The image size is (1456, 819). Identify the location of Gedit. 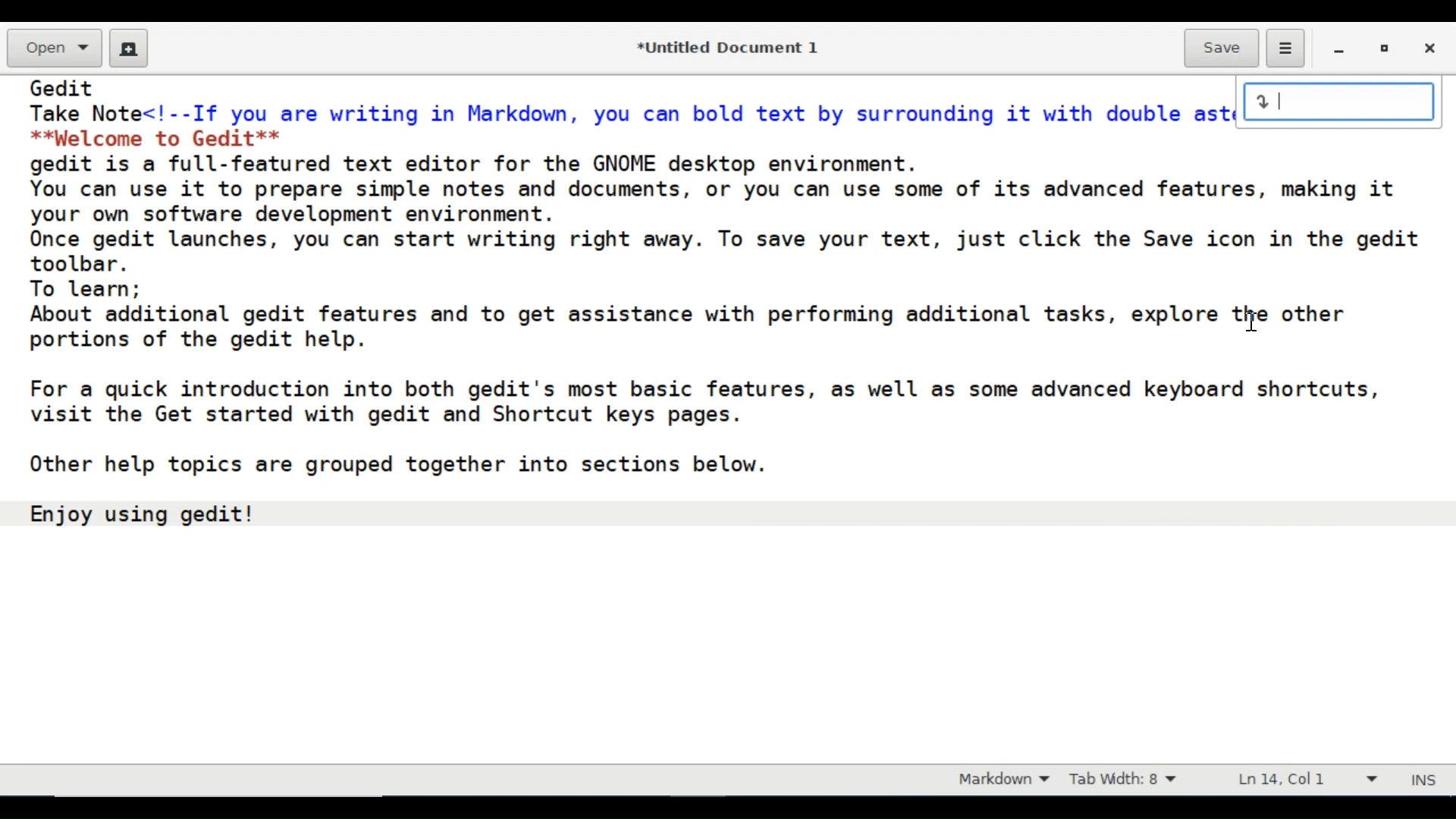
(64, 87).